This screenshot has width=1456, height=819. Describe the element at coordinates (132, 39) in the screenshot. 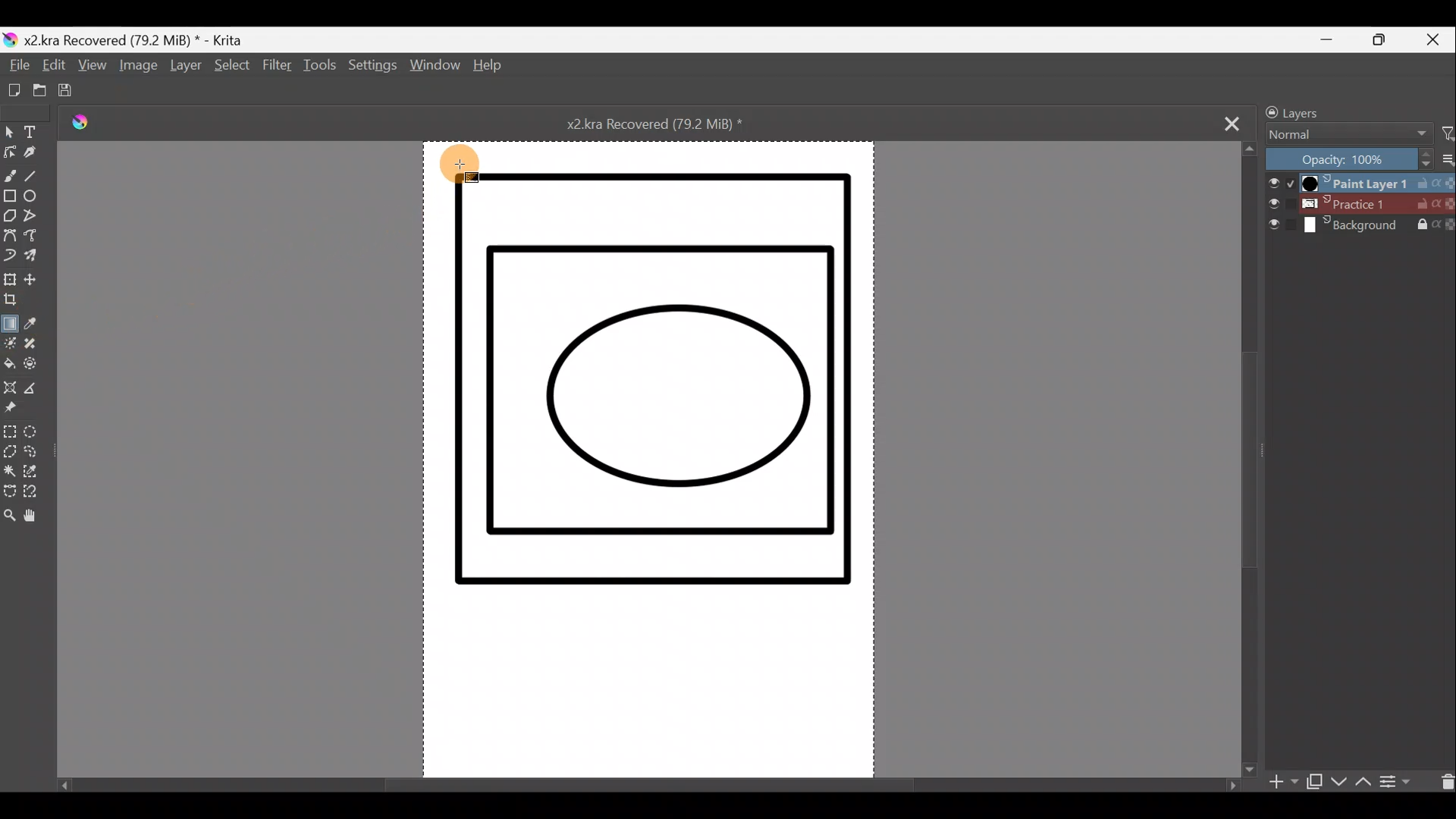

I see `Document name` at that location.